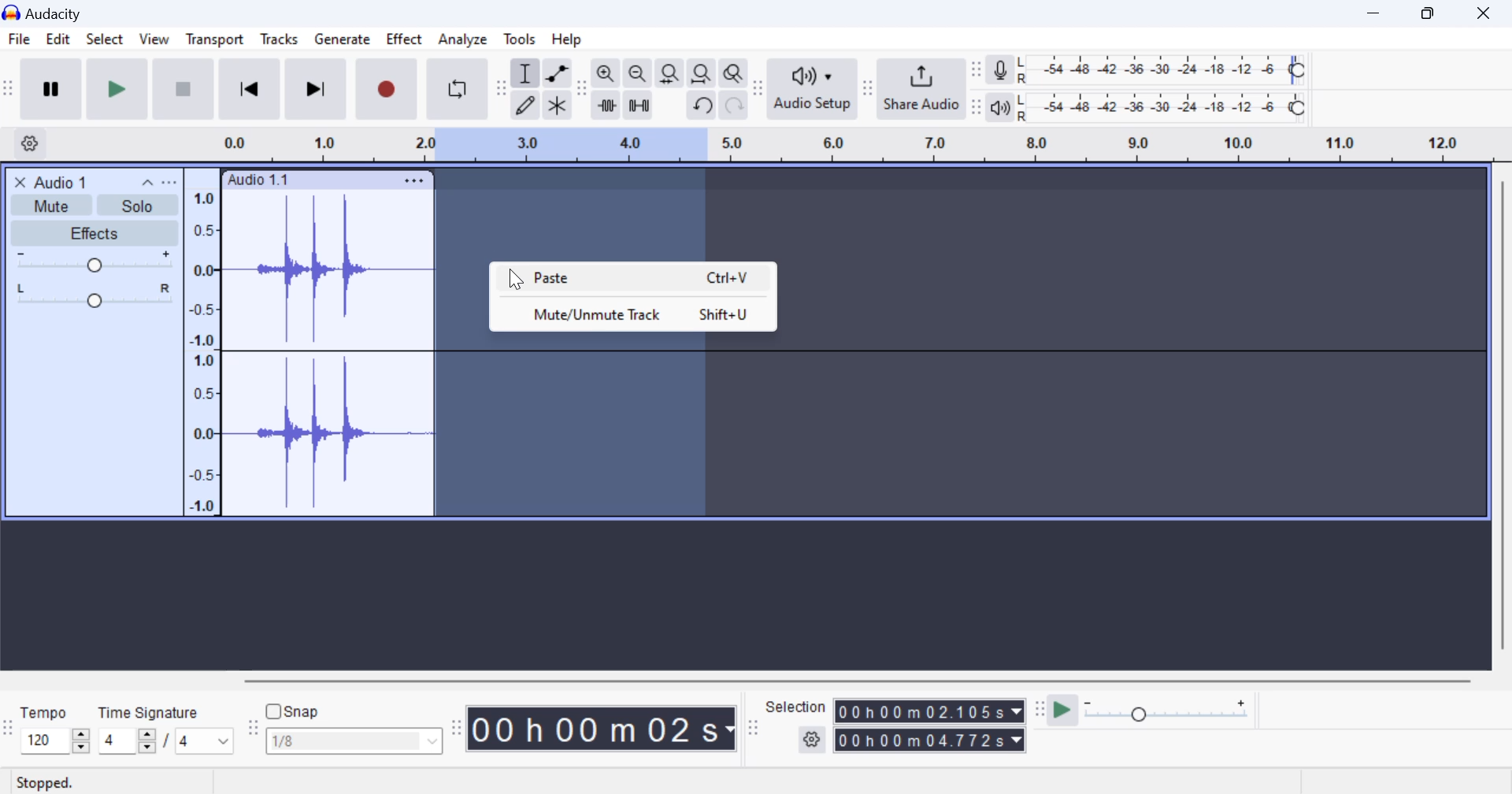 The height and width of the screenshot is (794, 1512). Describe the element at coordinates (414, 180) in the screenshot. I see `Clip Settings` at that location.